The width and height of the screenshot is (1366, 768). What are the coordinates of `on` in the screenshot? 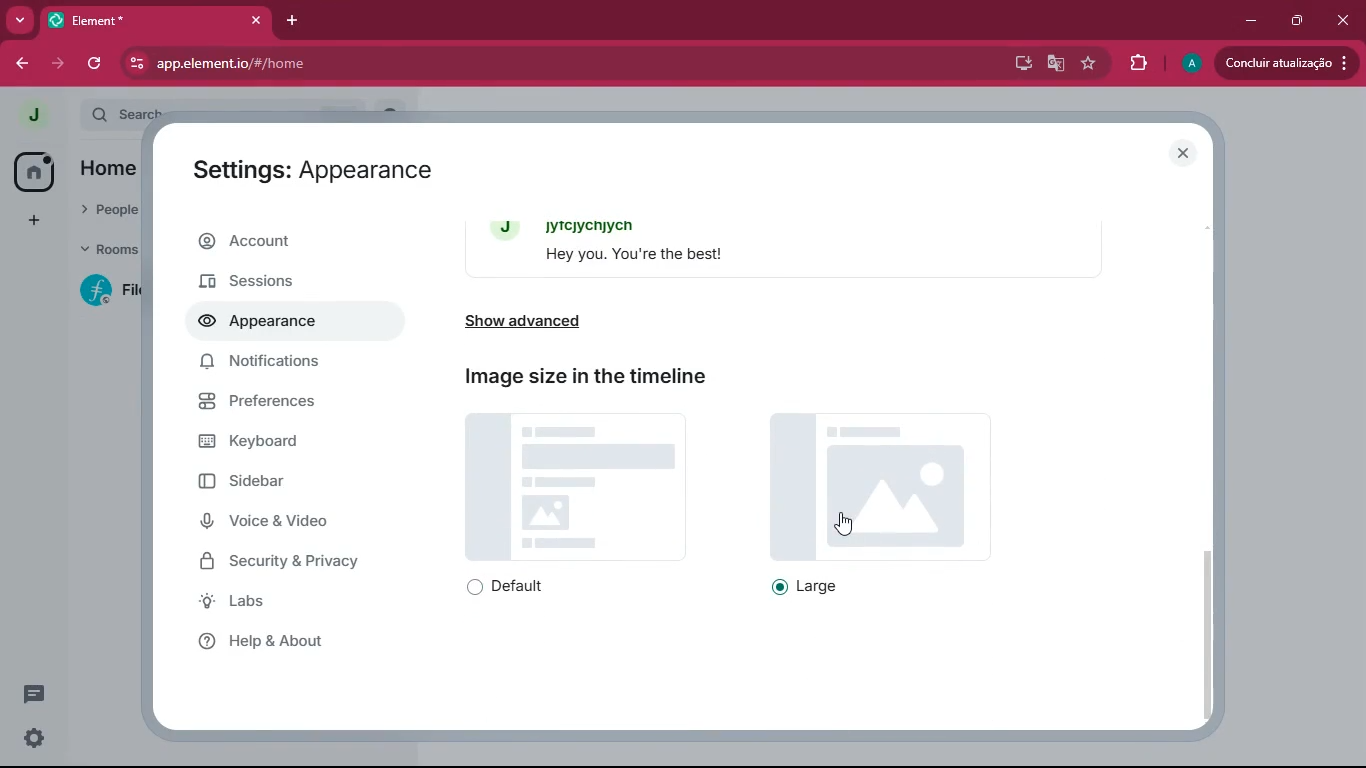 It's located at (779, 589).